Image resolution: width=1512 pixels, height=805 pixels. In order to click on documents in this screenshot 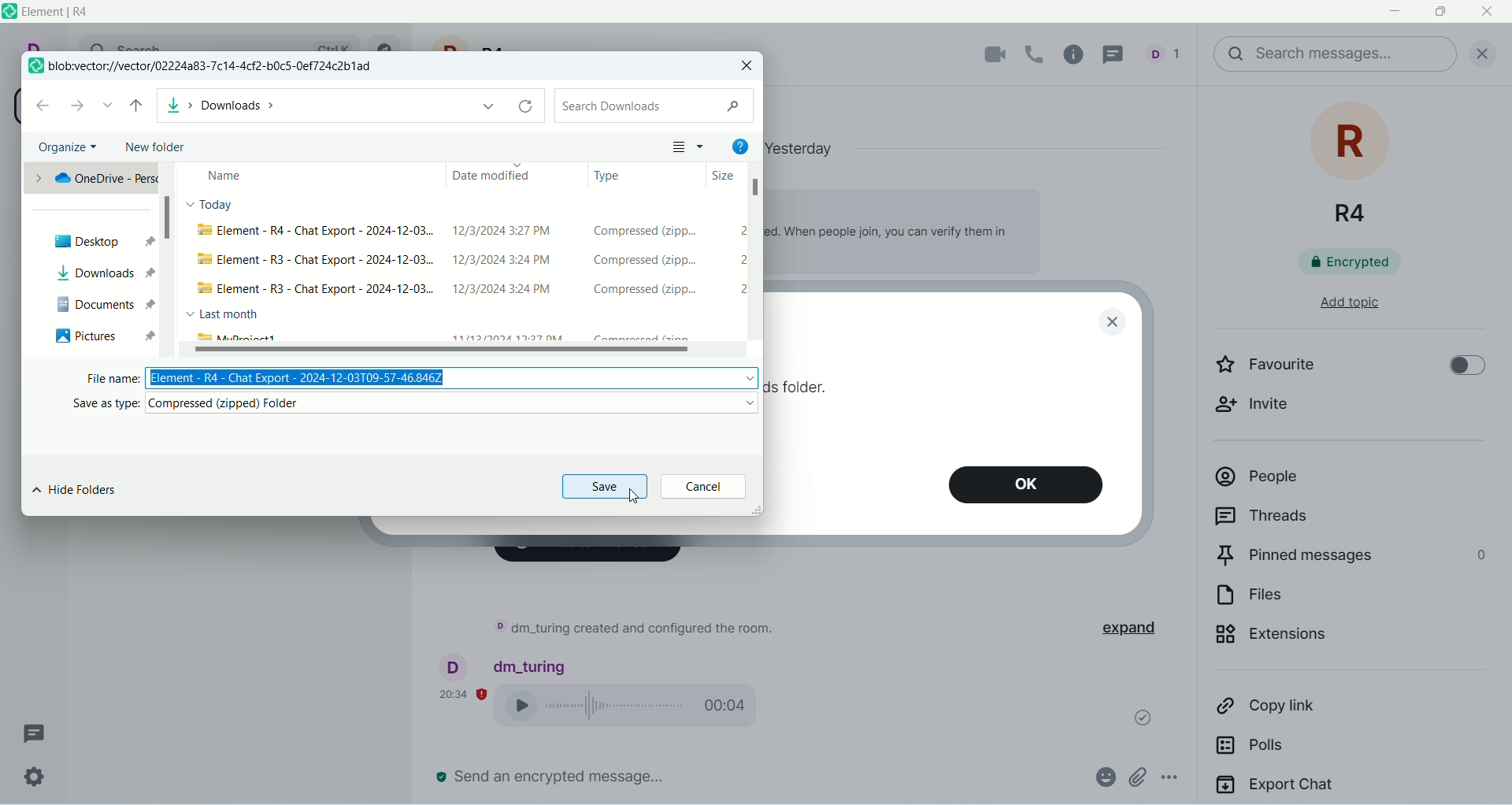, I will do `click(106, 304)`.